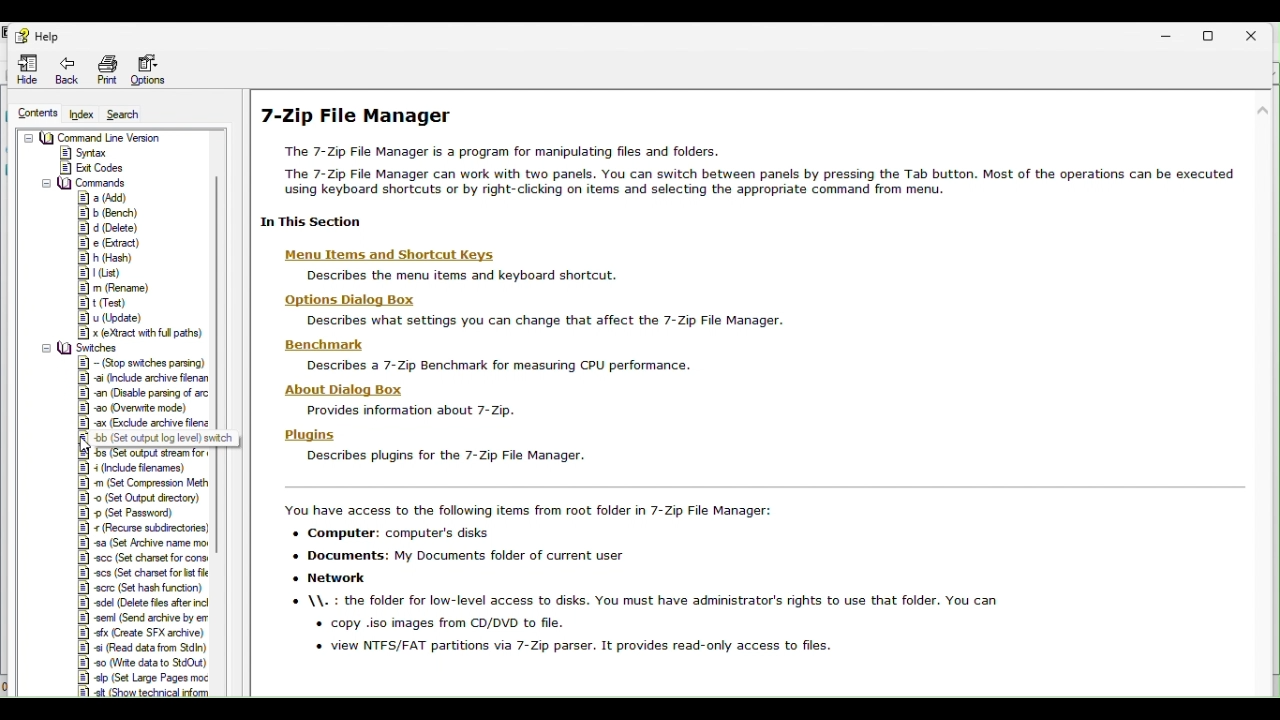 This screenshot has height=720, width=1280. I want to click on content, so click(32, 113).